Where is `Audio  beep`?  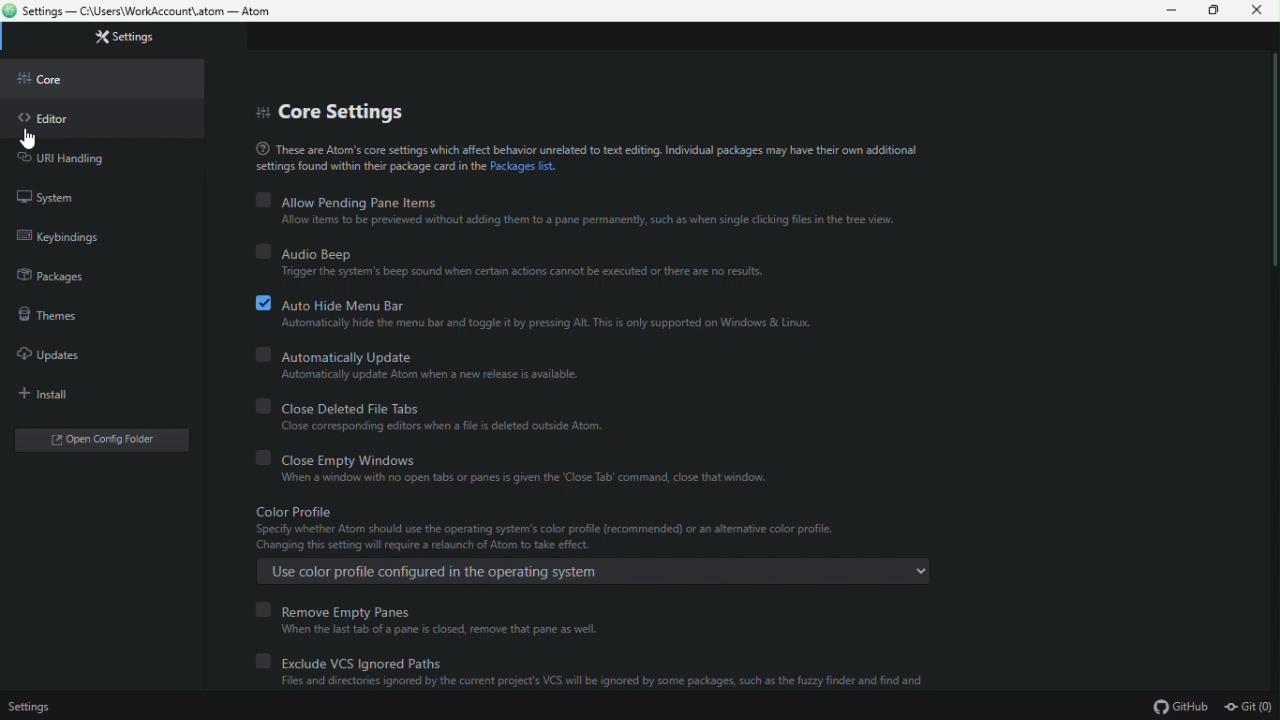 Audio  beep is located at coordinates (520, 253).